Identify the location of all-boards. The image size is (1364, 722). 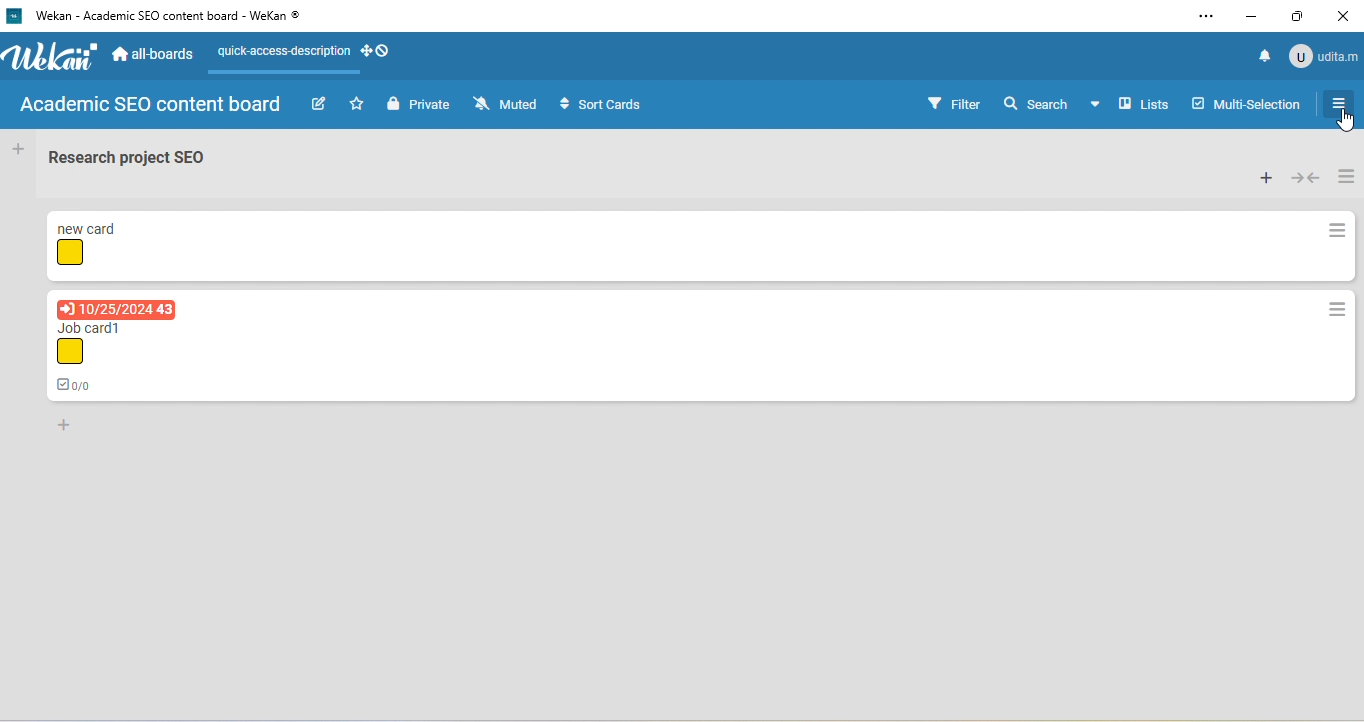
(155, 52).